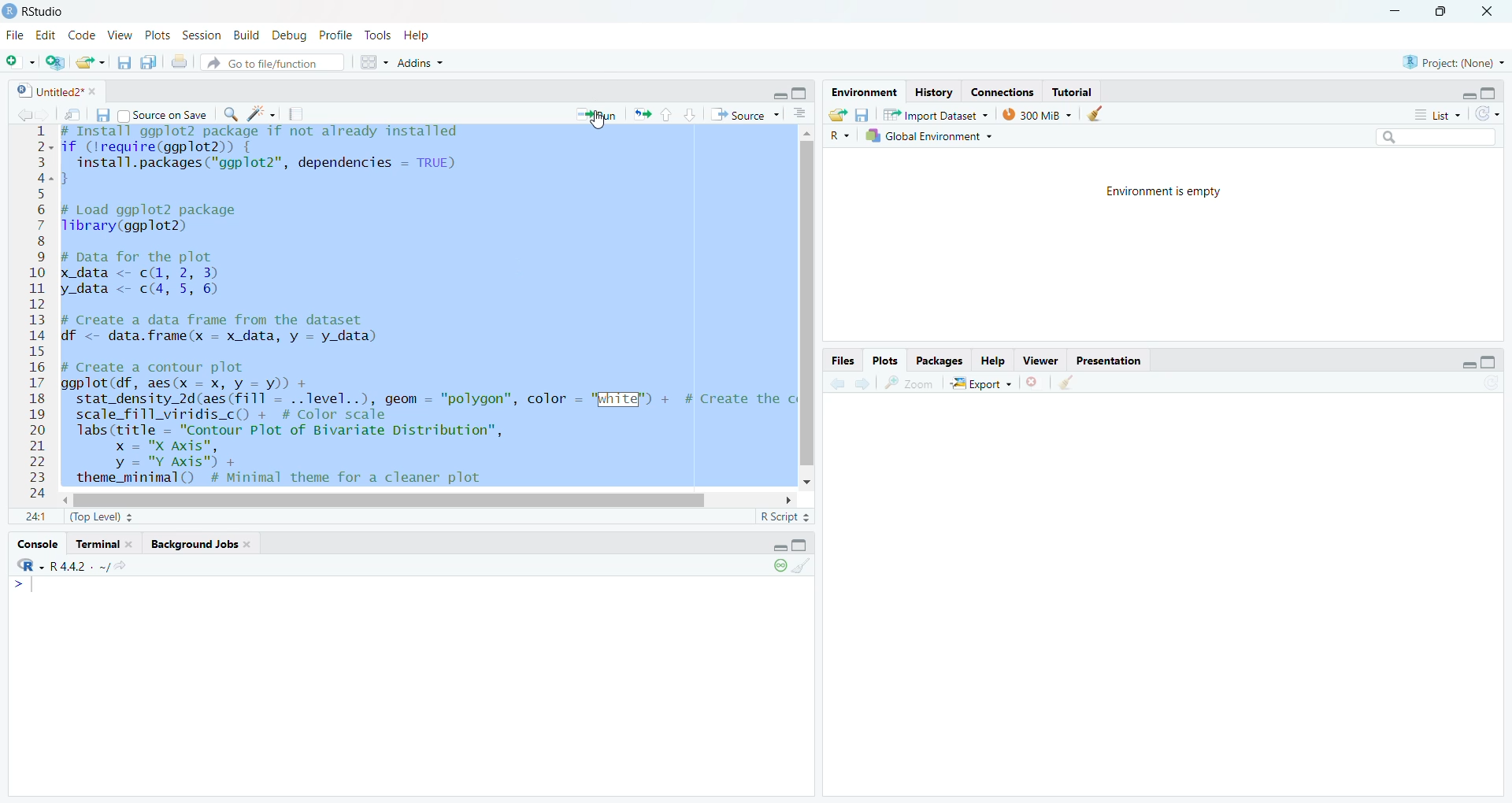  Describe the element at coordinates (21, 116) in the screenshot. I see `go back to the previous source location` at that location.